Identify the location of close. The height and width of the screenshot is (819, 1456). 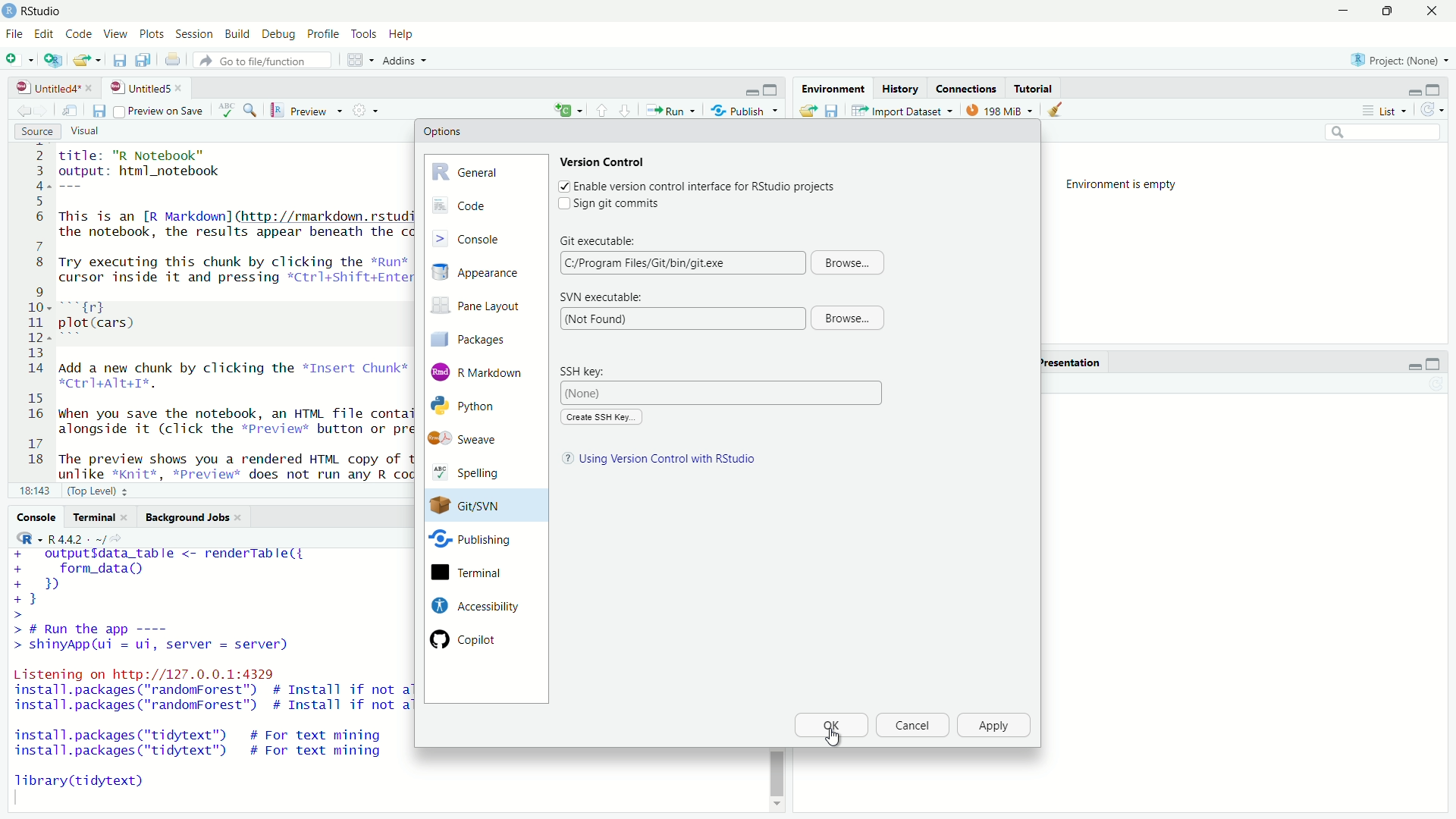
(1431, 11).